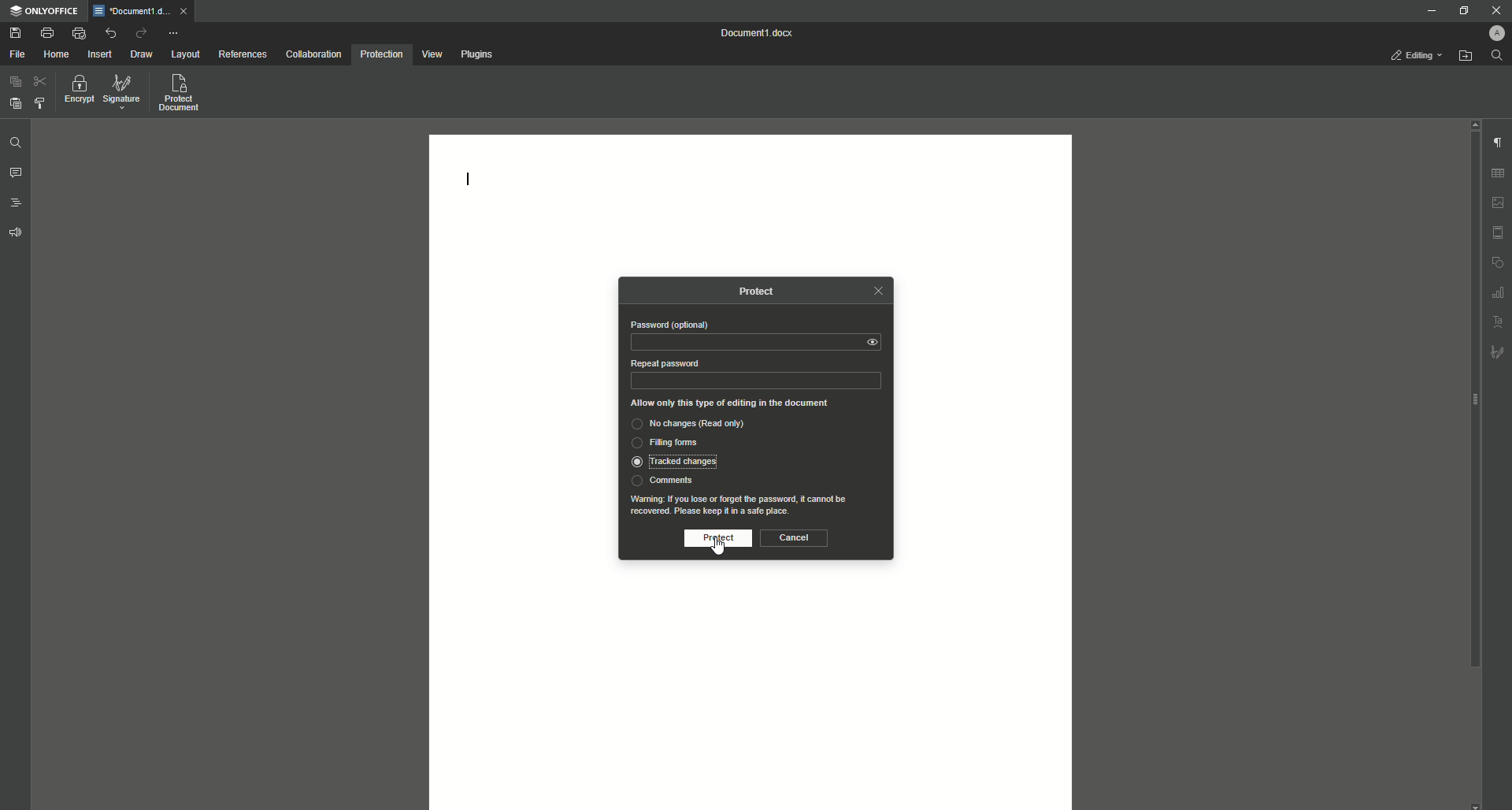 This screenshot has height=810, width=1512. What do you see at coordinates (665, 362) in the screenshot?
I see `Repeat Password` at bounding box center [665, 362].